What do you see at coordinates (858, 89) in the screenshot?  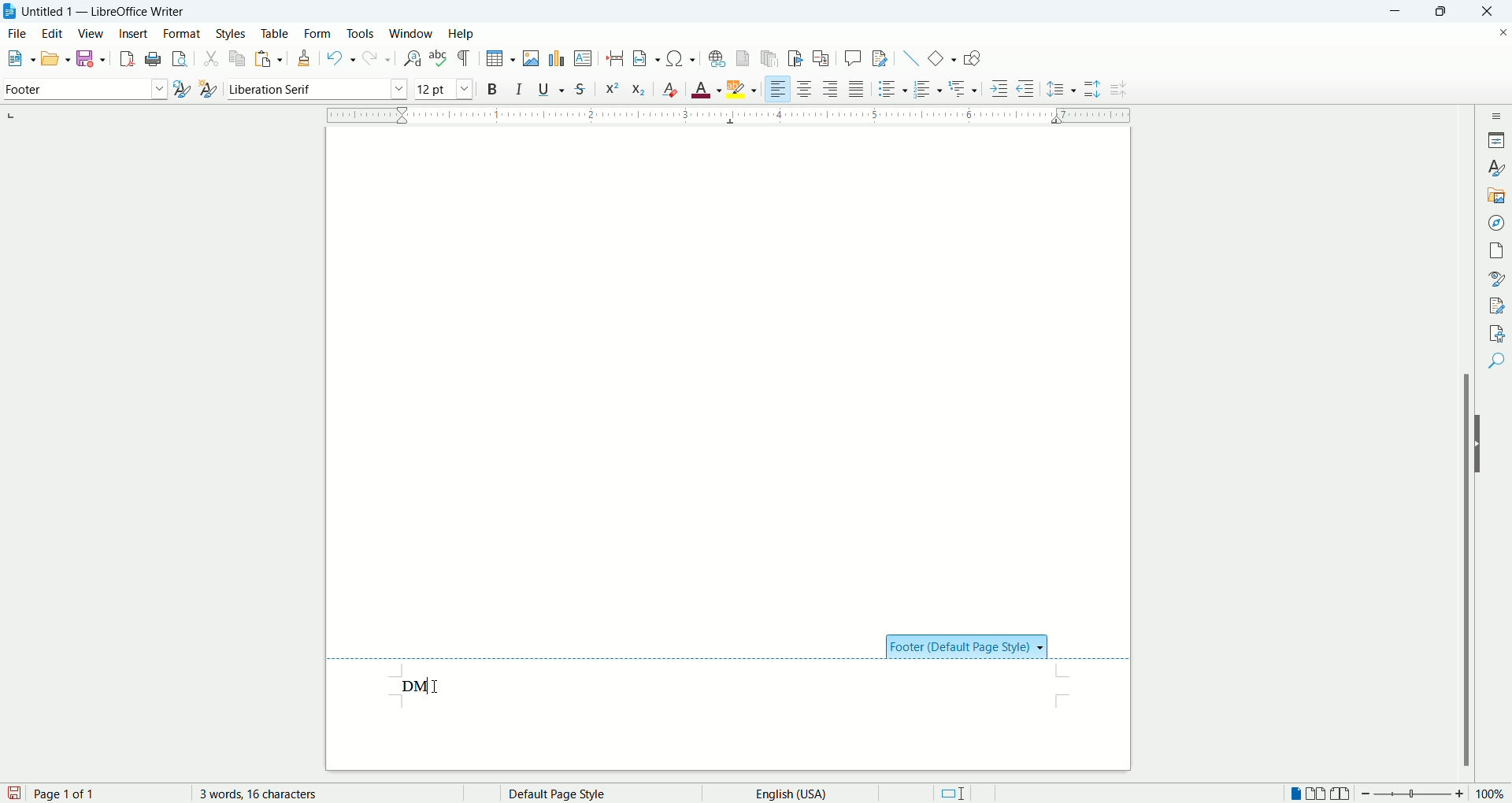 I see `justified` at bounding box center [858, 89].